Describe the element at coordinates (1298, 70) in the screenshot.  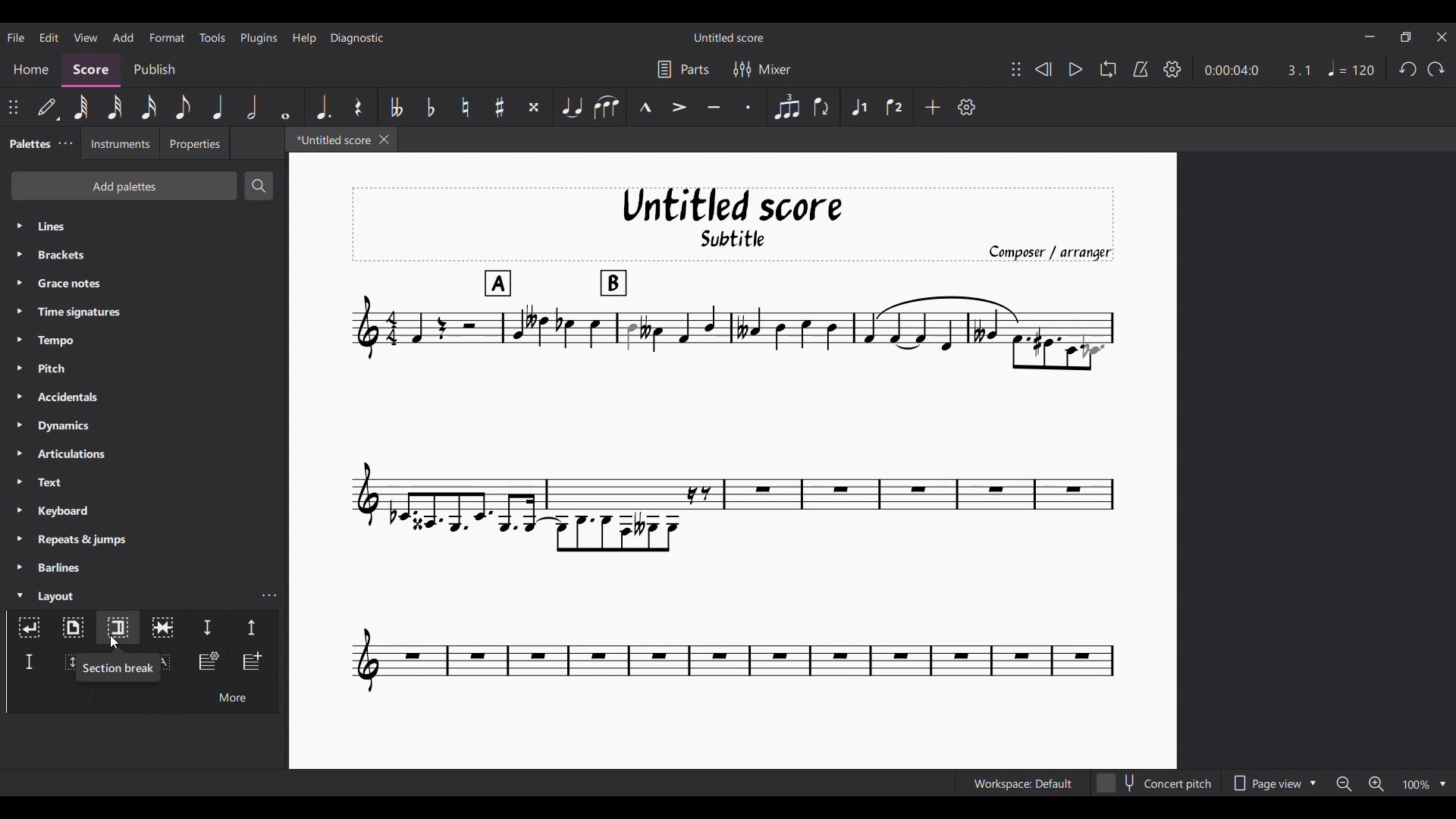
I see `3.1` at that location.